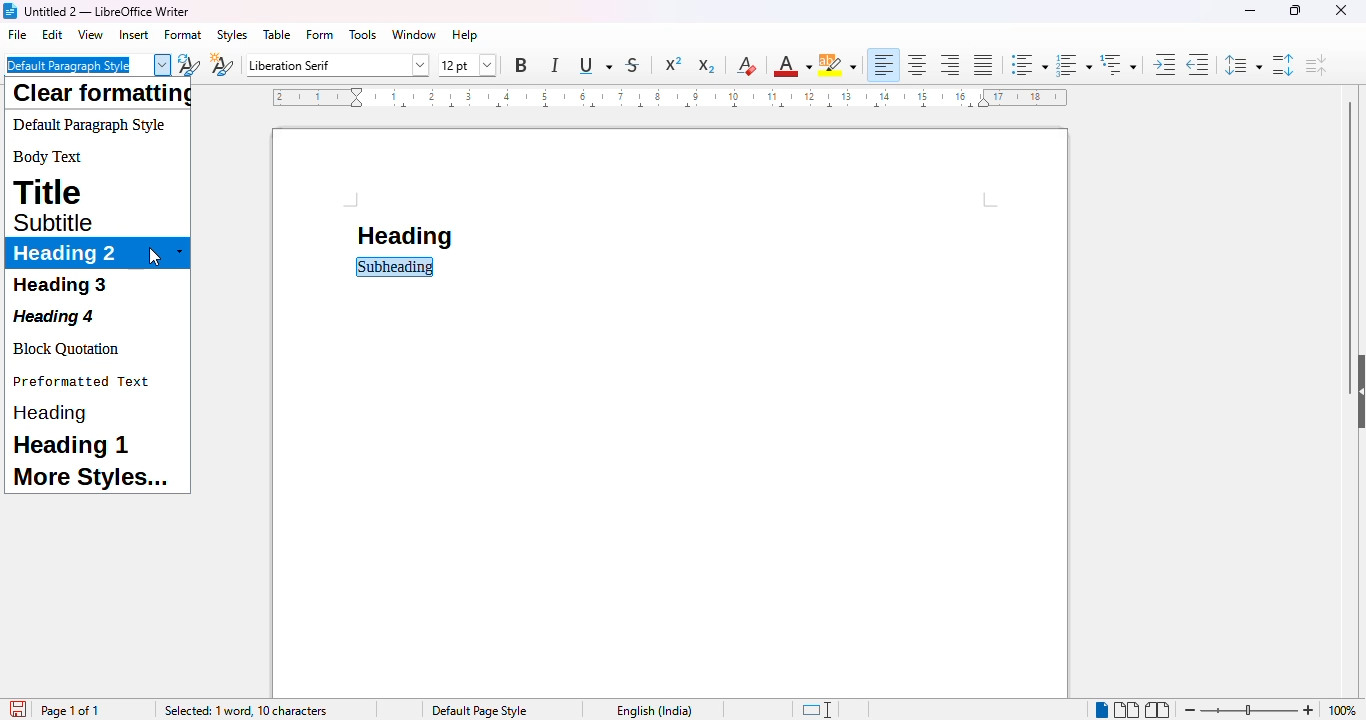 The width and height of the screenshot is (1366, 720). What do you see at coordinates (1248, 709) in the screenshot?
I see `zoom in or zoom out` at bounding box center [1248, 709].